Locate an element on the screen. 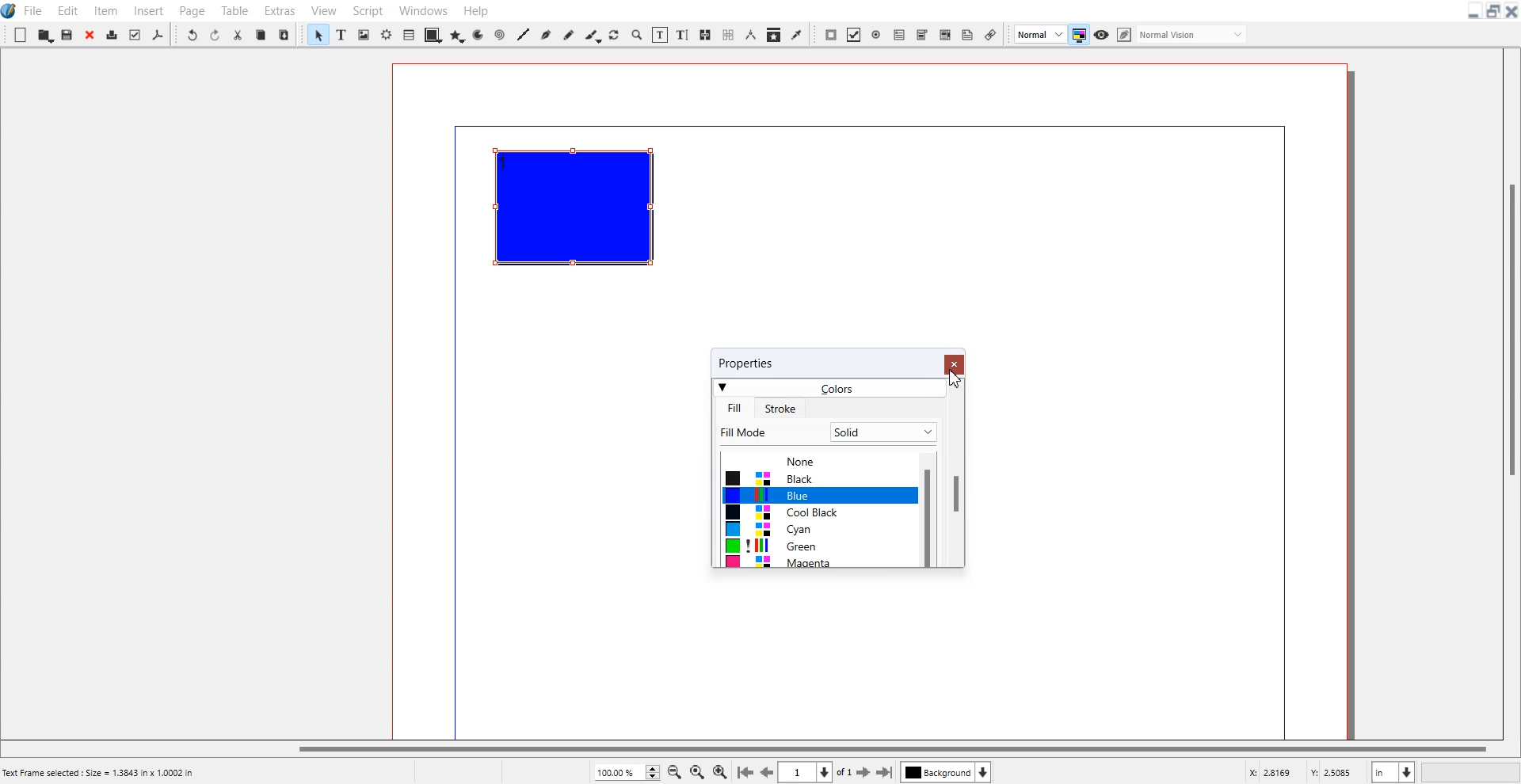 This screenshot has width=1521, height=784. PDF Combo Box is located at coordinates (923, 35).